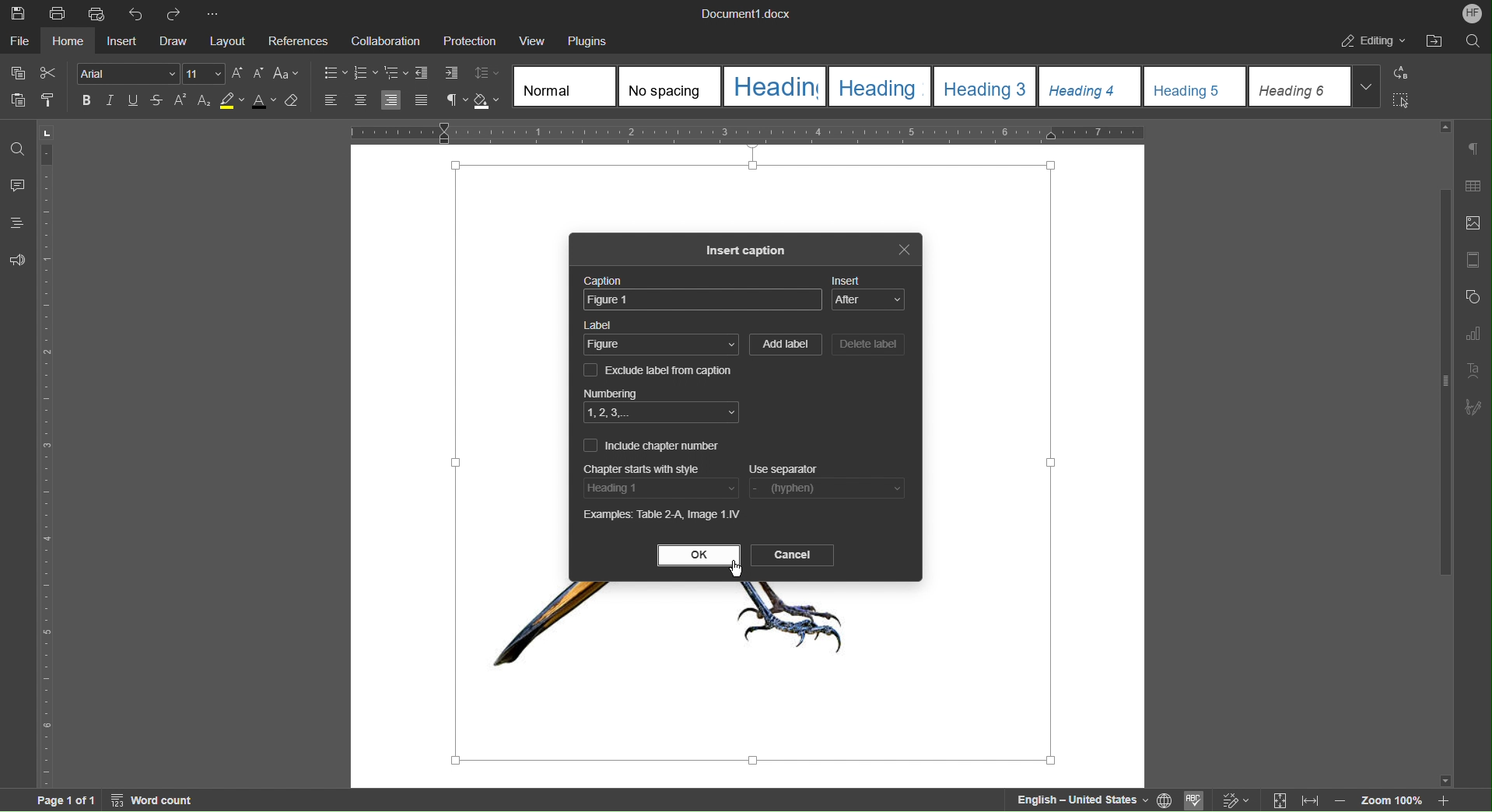  I want to click on References, so click(296, 43).